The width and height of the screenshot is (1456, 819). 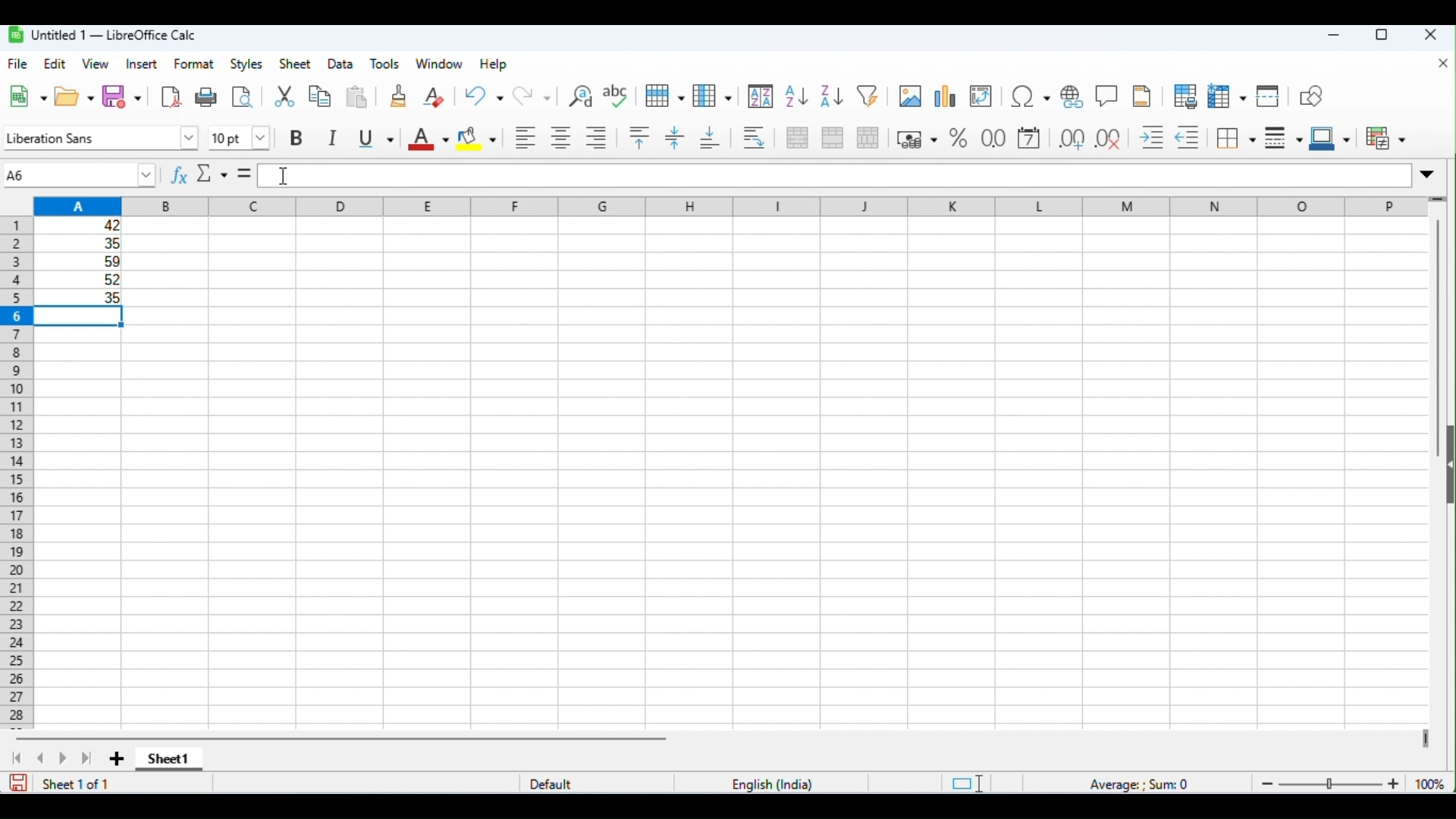 What do you see at coordinates (17, 472) in the screenshot?
I see `row numbers` at bounding box center [17, 472].